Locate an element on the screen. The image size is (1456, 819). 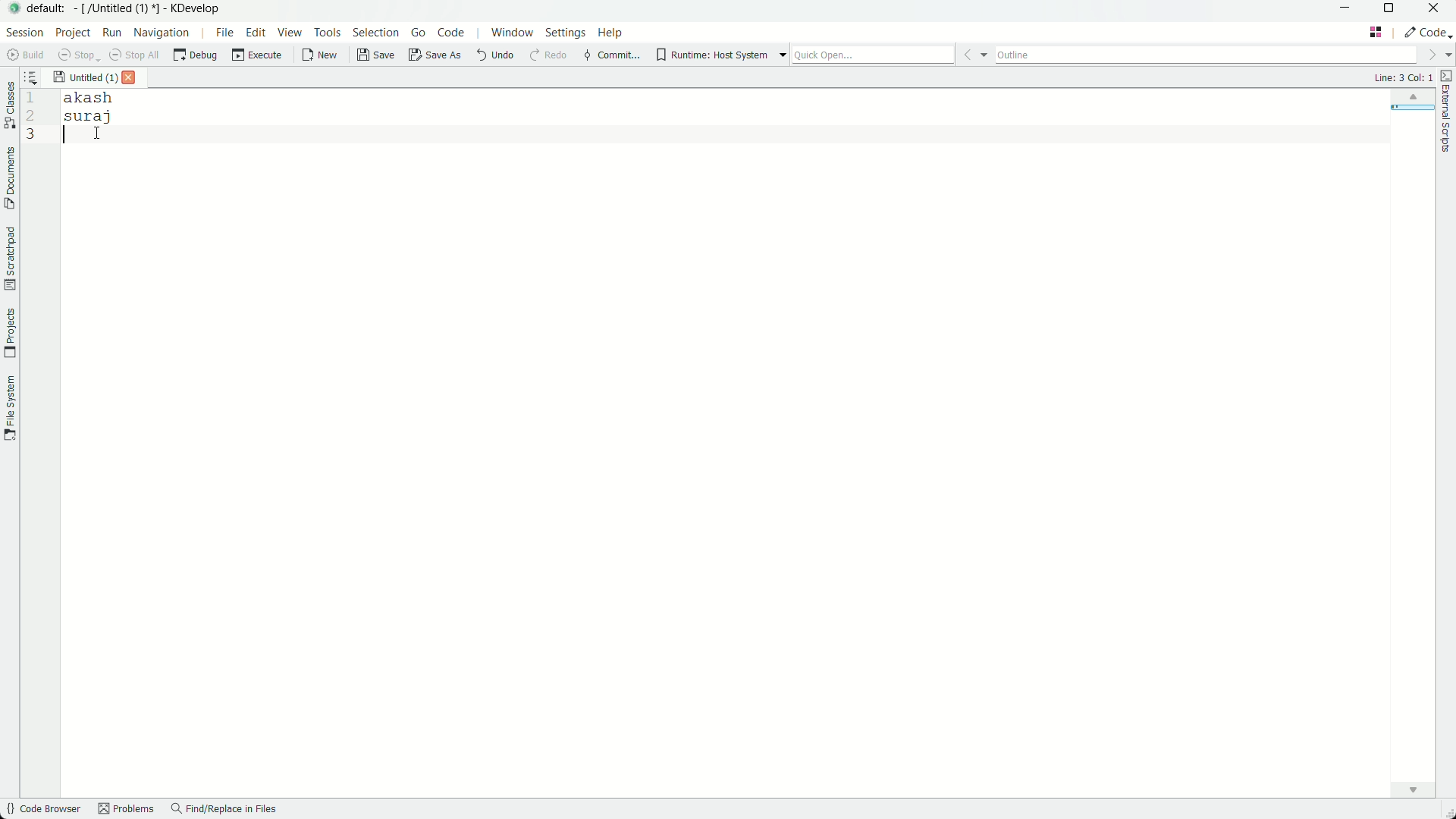
file name - untitled 1 is located at coordinates (85, 76).